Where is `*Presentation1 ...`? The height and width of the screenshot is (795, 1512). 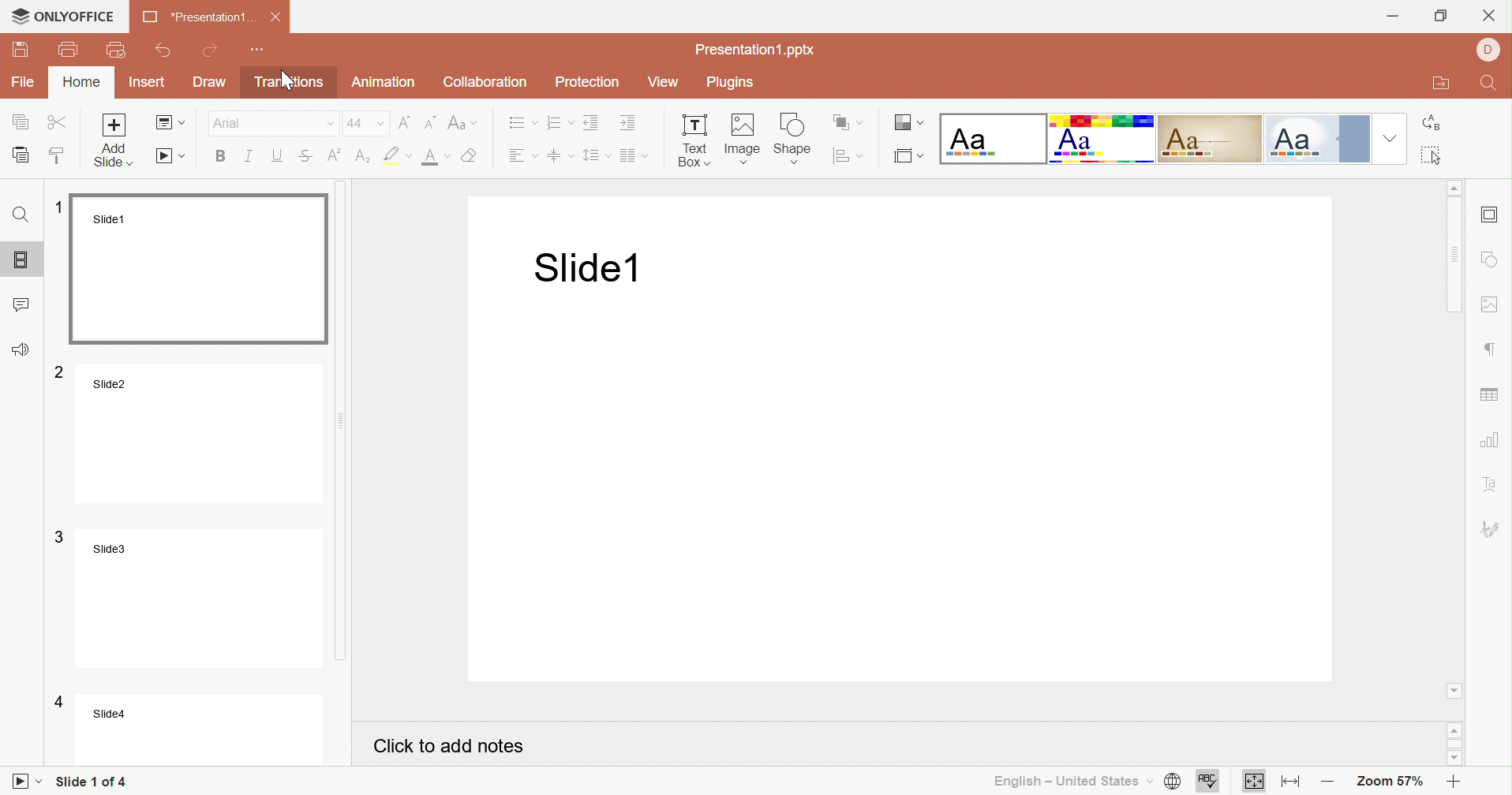 *Presentation1 ... is located at coordinates (196, 18).